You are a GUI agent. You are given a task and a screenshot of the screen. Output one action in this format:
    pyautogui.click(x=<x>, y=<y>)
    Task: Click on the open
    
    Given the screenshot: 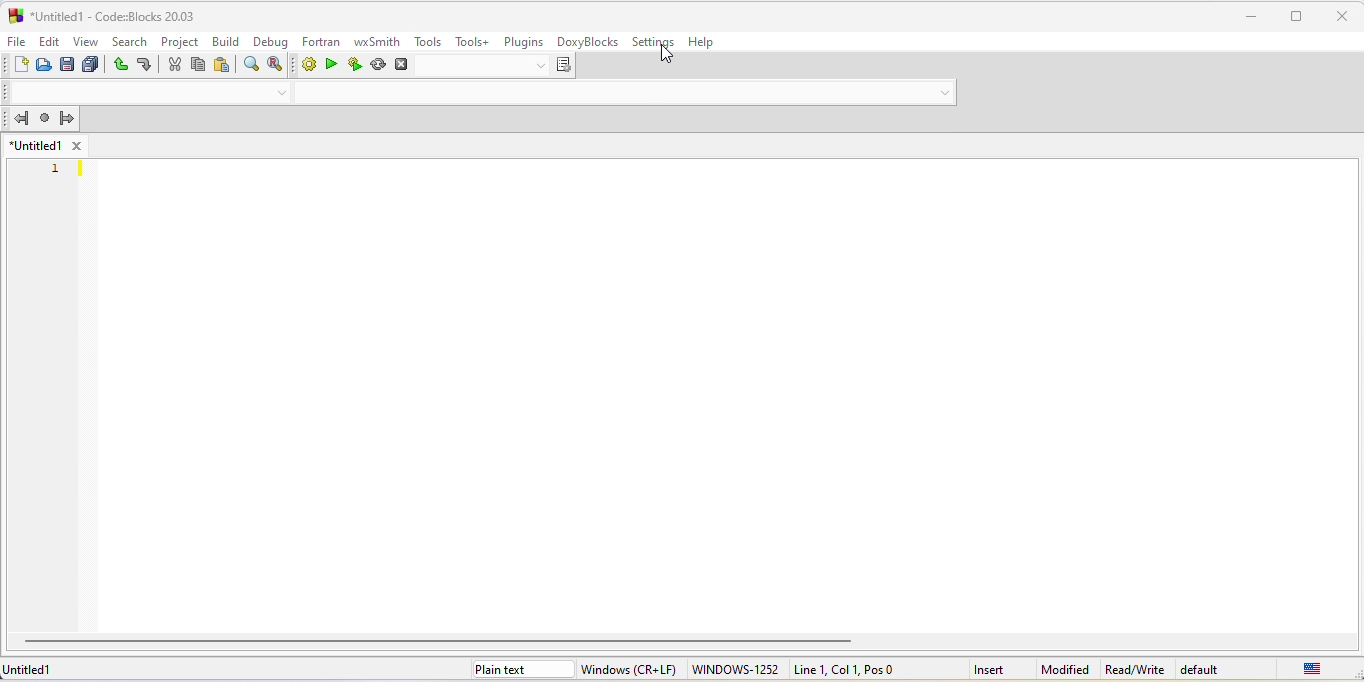 What is the action you would take?
    pyautogui.click(x=43, y=65)
    